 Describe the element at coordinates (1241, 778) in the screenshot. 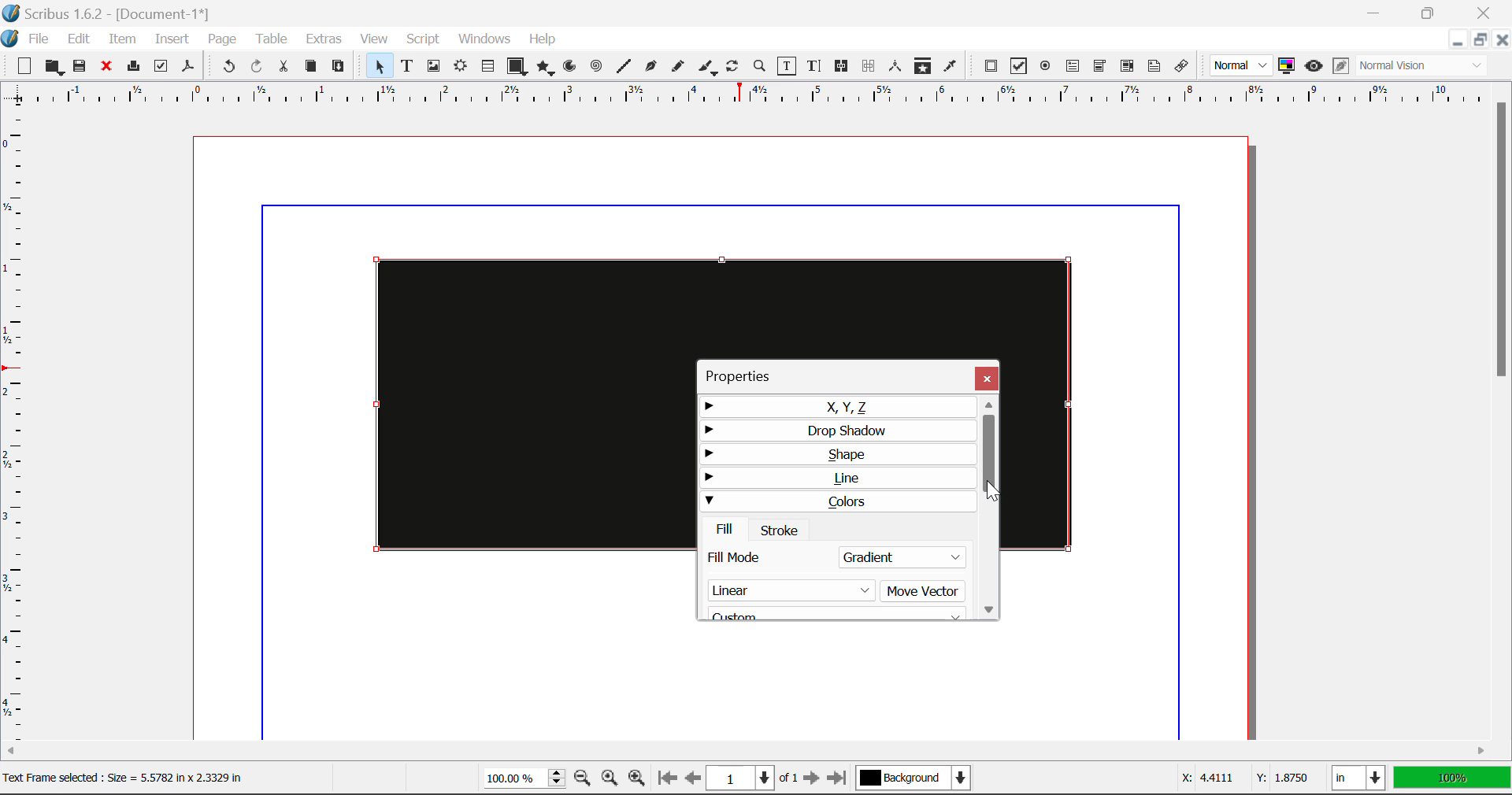

I see `Cursor Coordinates` at that location.